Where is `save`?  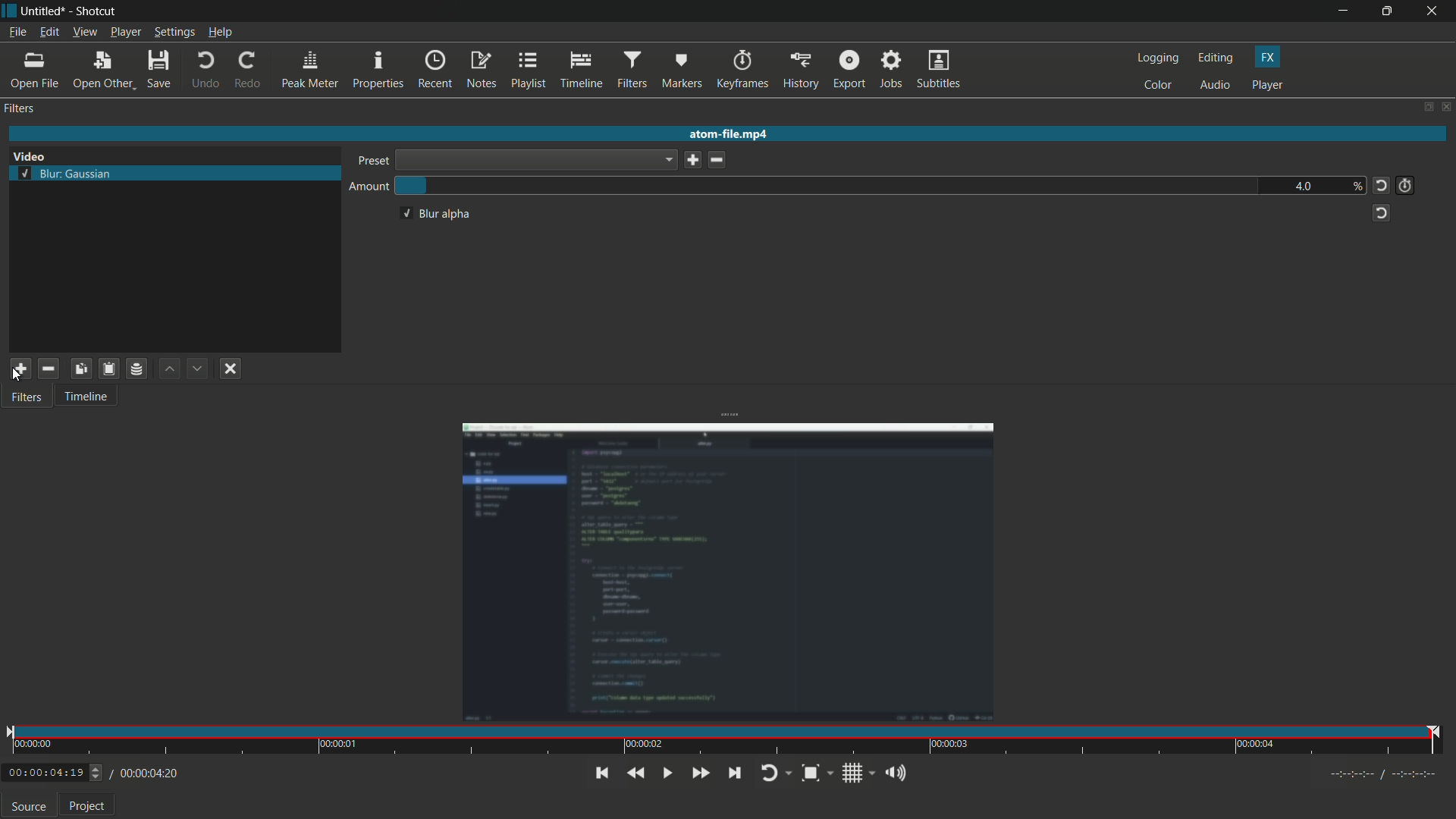
save is located at coordinates (692, 159).